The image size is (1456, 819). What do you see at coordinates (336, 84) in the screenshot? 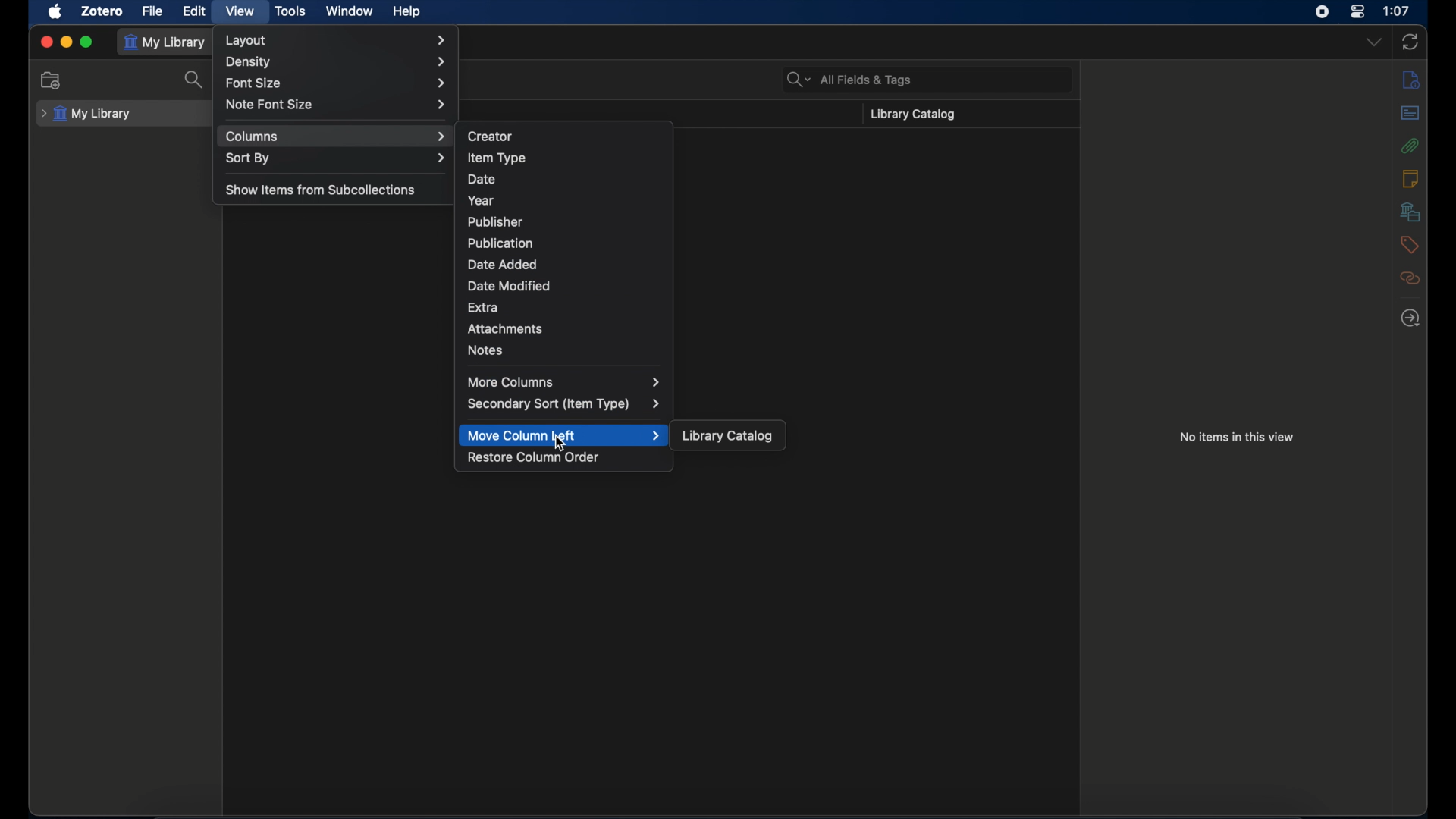
I see `font size` at bounding box center [336, 84].